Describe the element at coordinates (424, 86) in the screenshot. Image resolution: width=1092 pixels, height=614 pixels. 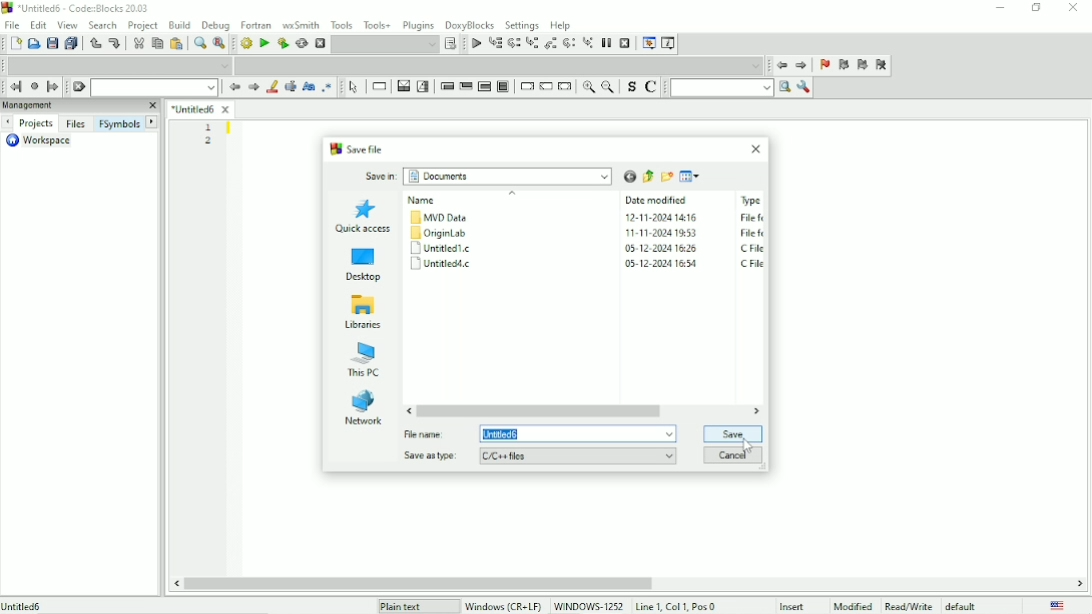
I see `Selection` at that location.